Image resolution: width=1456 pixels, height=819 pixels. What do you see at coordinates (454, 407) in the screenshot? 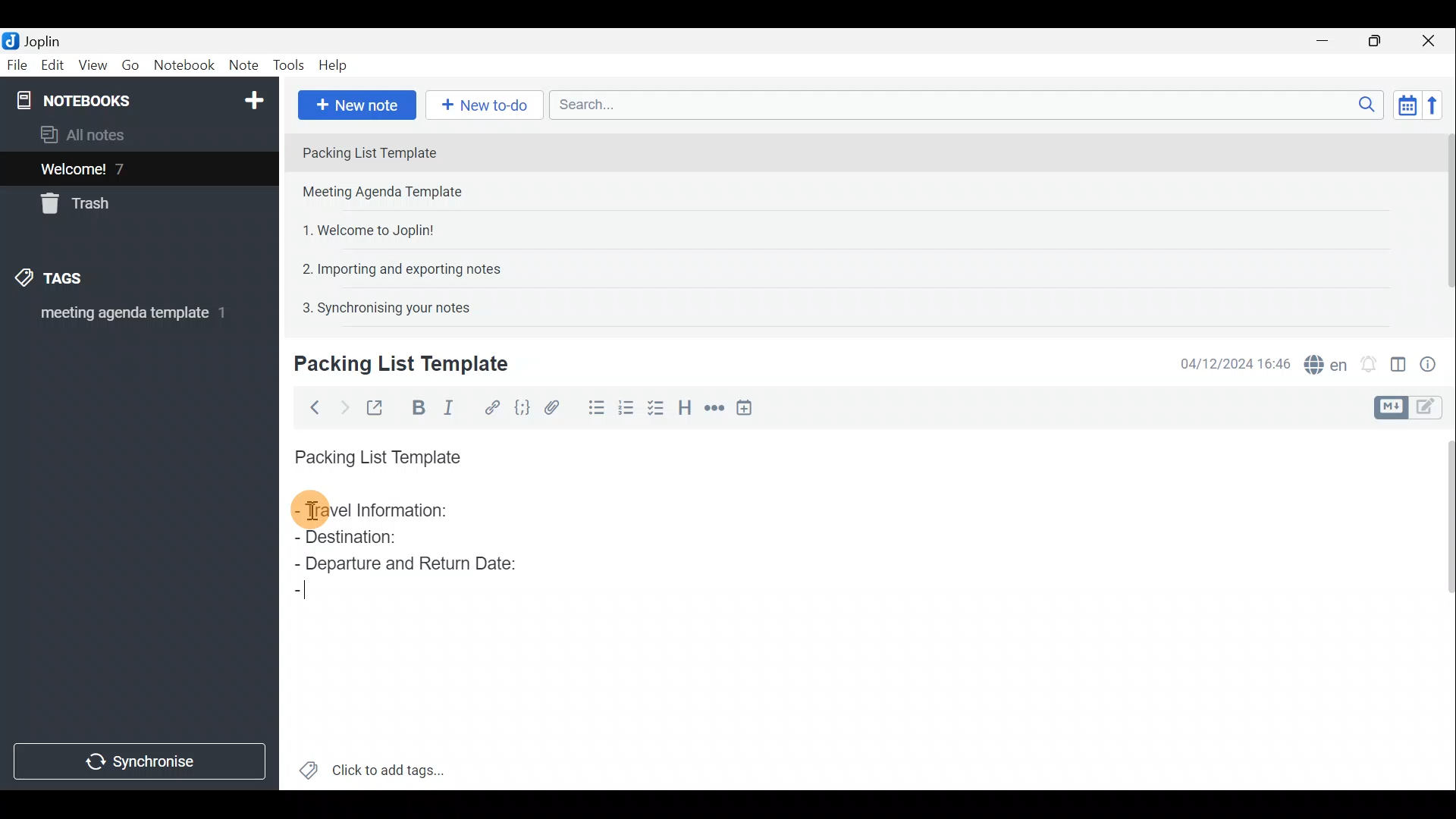
I see `Italic` at bounding box center [454, 407].